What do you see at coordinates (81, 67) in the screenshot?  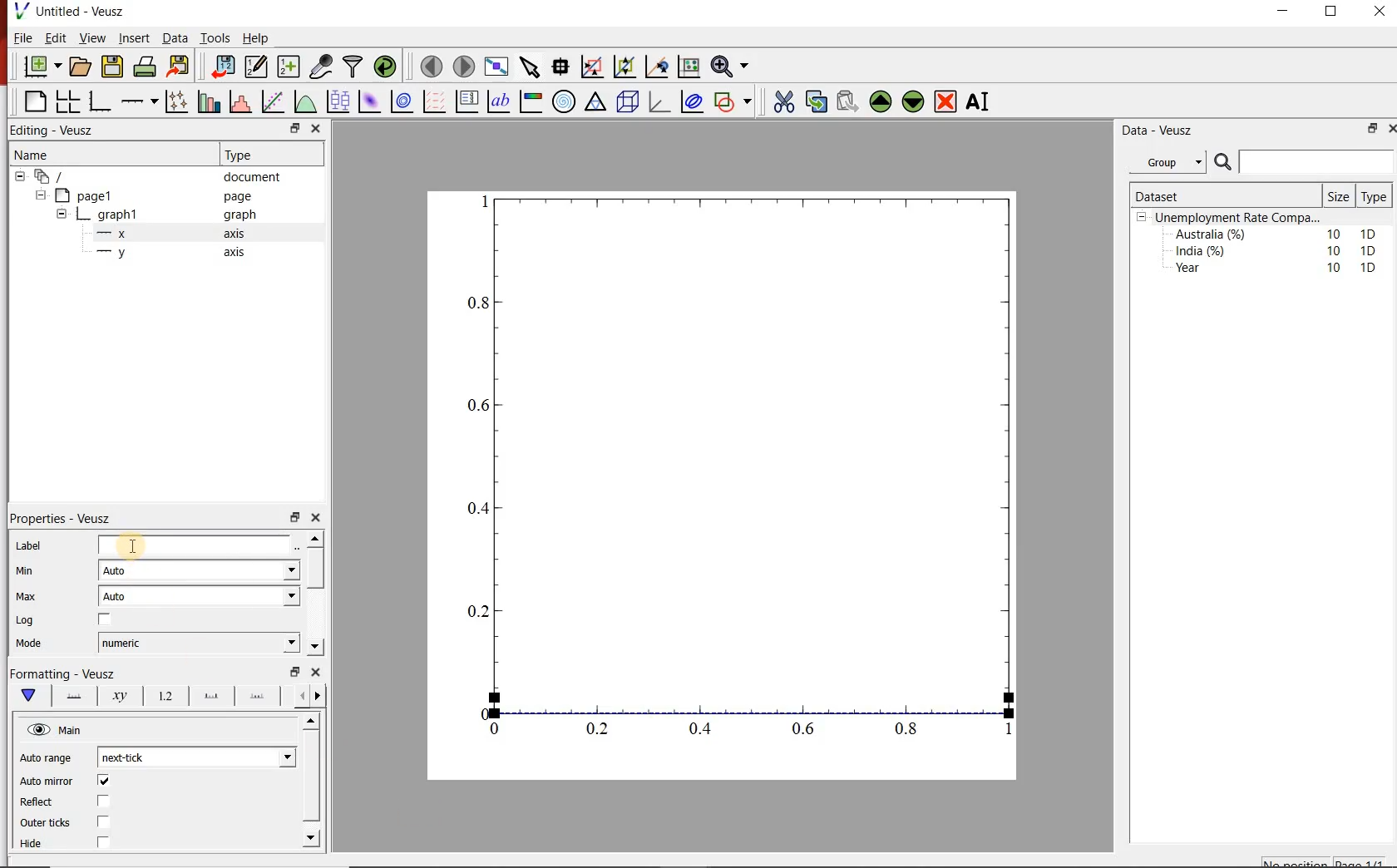 I see `open document` at bounding box center [81, 67].